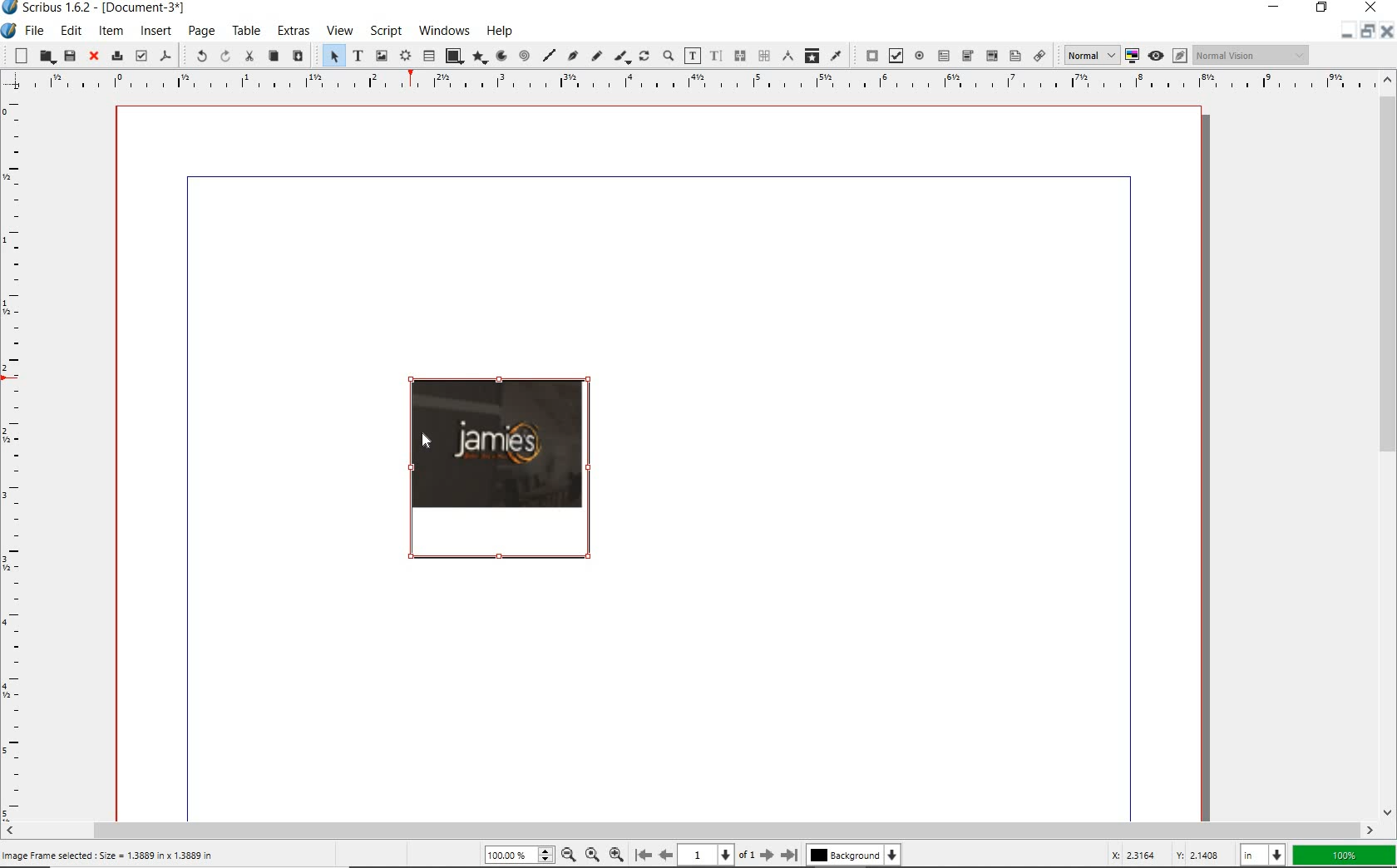 The width and height of the screenshot is (1397, 868). I want to click on pdf radio button, so click(921, 56).